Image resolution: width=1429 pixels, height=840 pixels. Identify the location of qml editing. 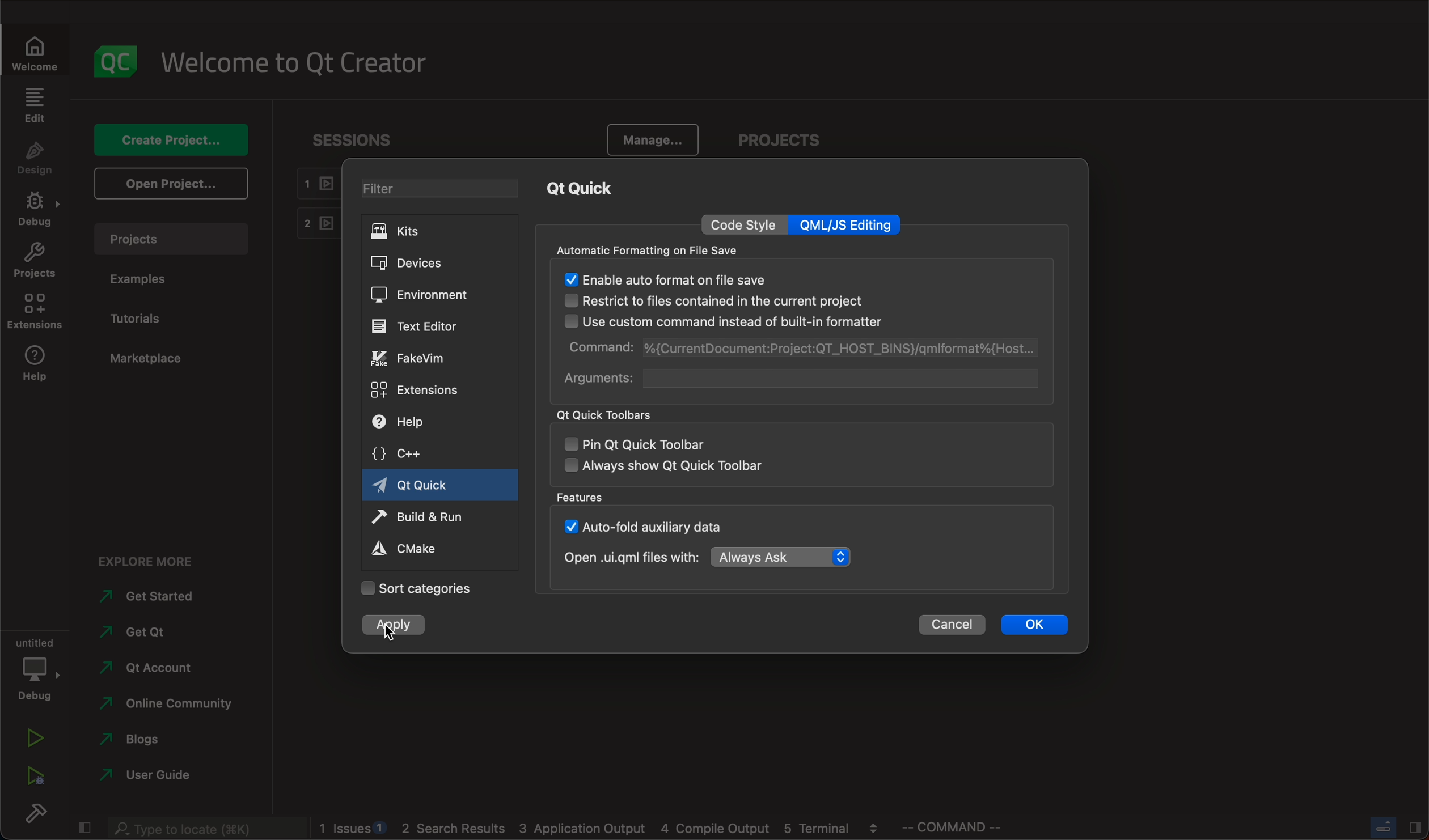
(842, 224).